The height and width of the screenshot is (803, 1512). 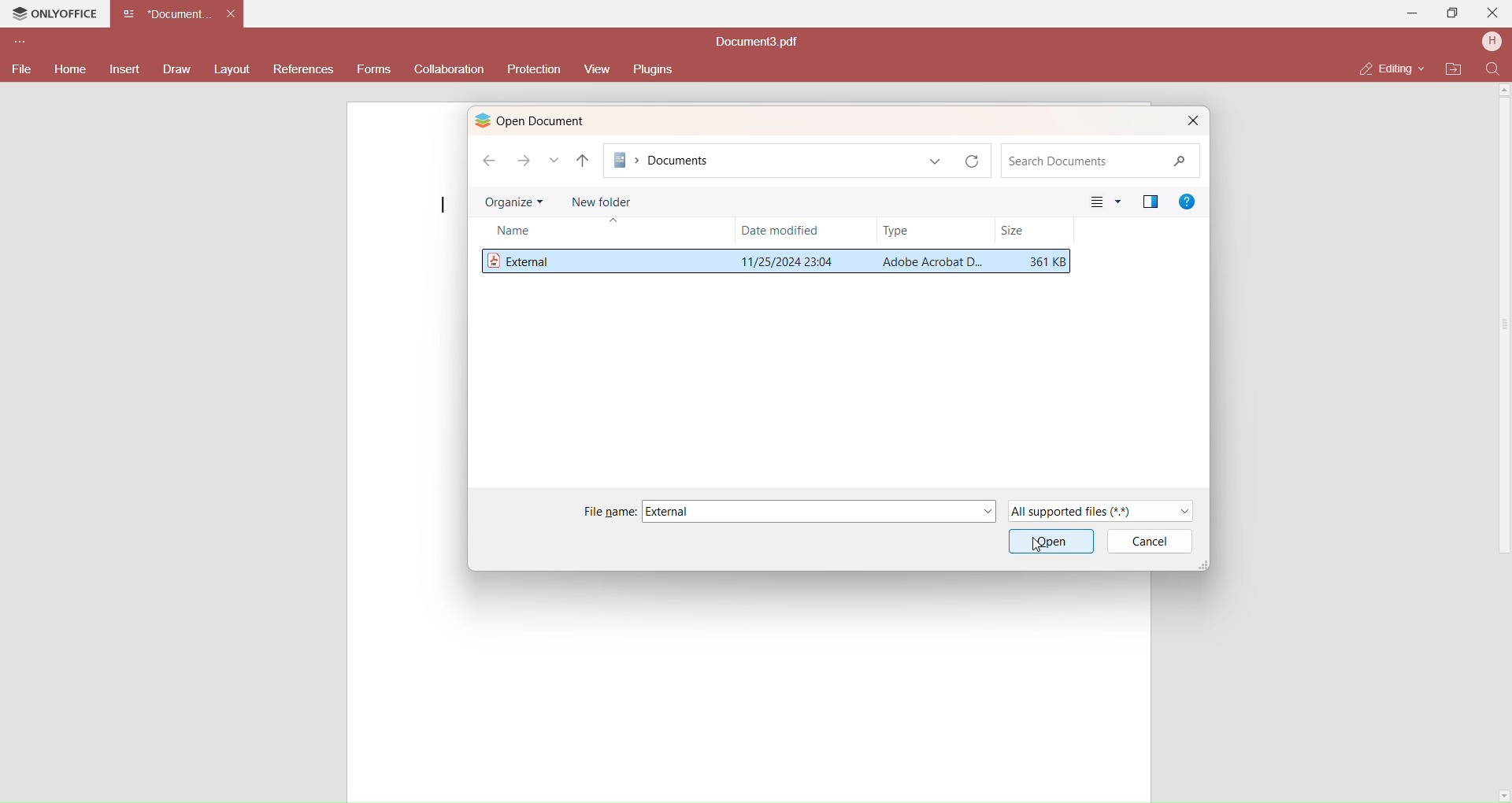 I want to click on Path, so click(x=764, y=160).